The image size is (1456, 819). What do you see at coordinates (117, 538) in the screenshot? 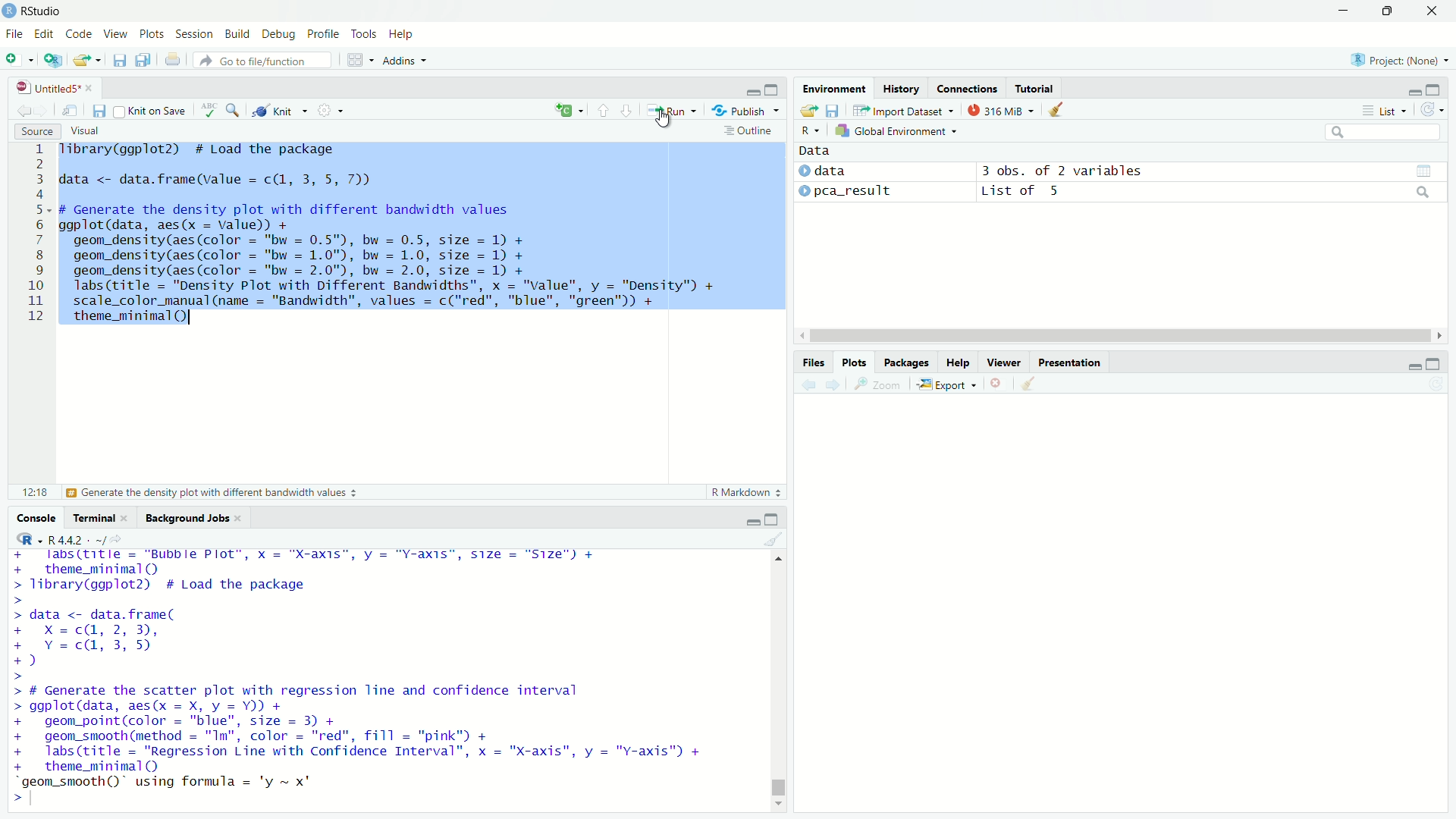
I see `View the current working current directory` at bounding box center [117, 538].